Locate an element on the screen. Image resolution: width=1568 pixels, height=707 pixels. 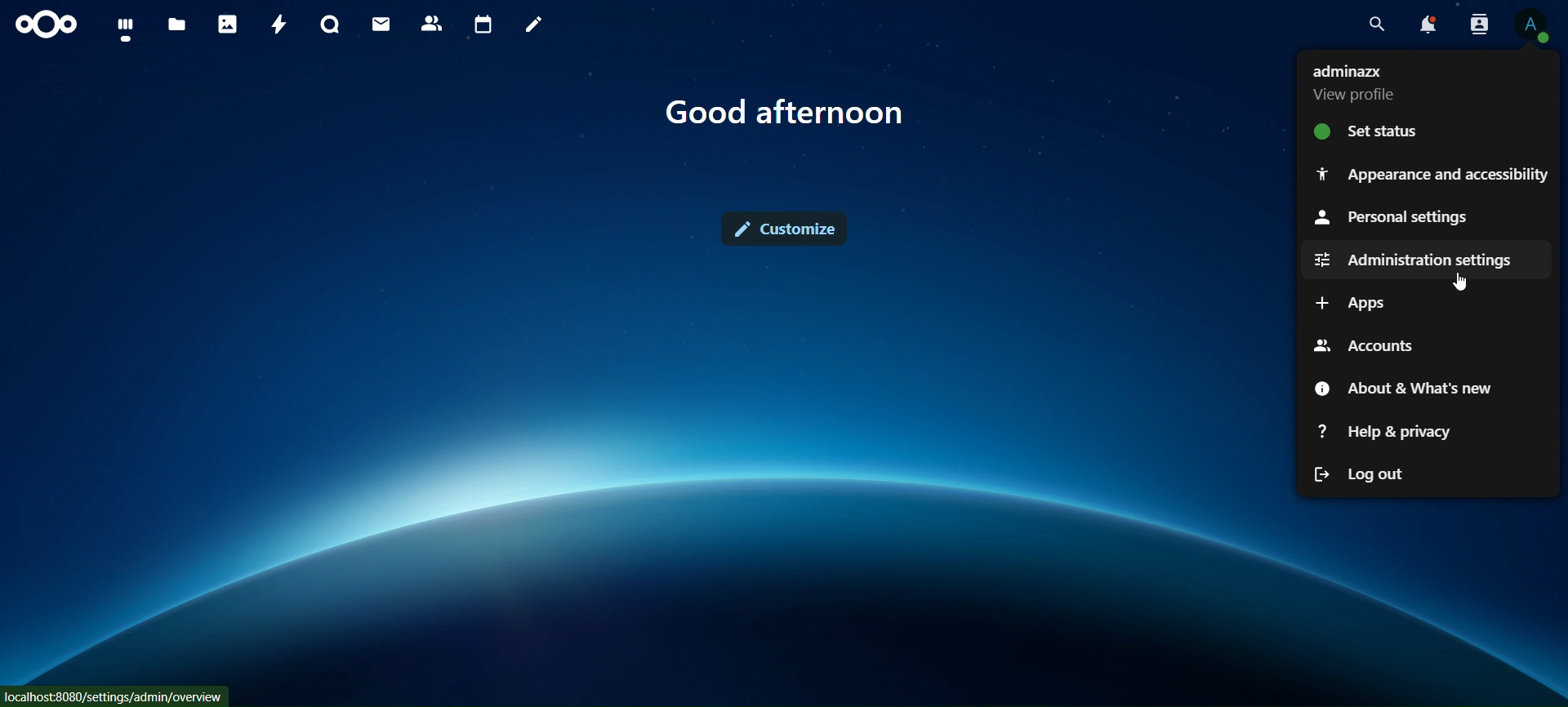
search is located at coordinates (1374, 24).